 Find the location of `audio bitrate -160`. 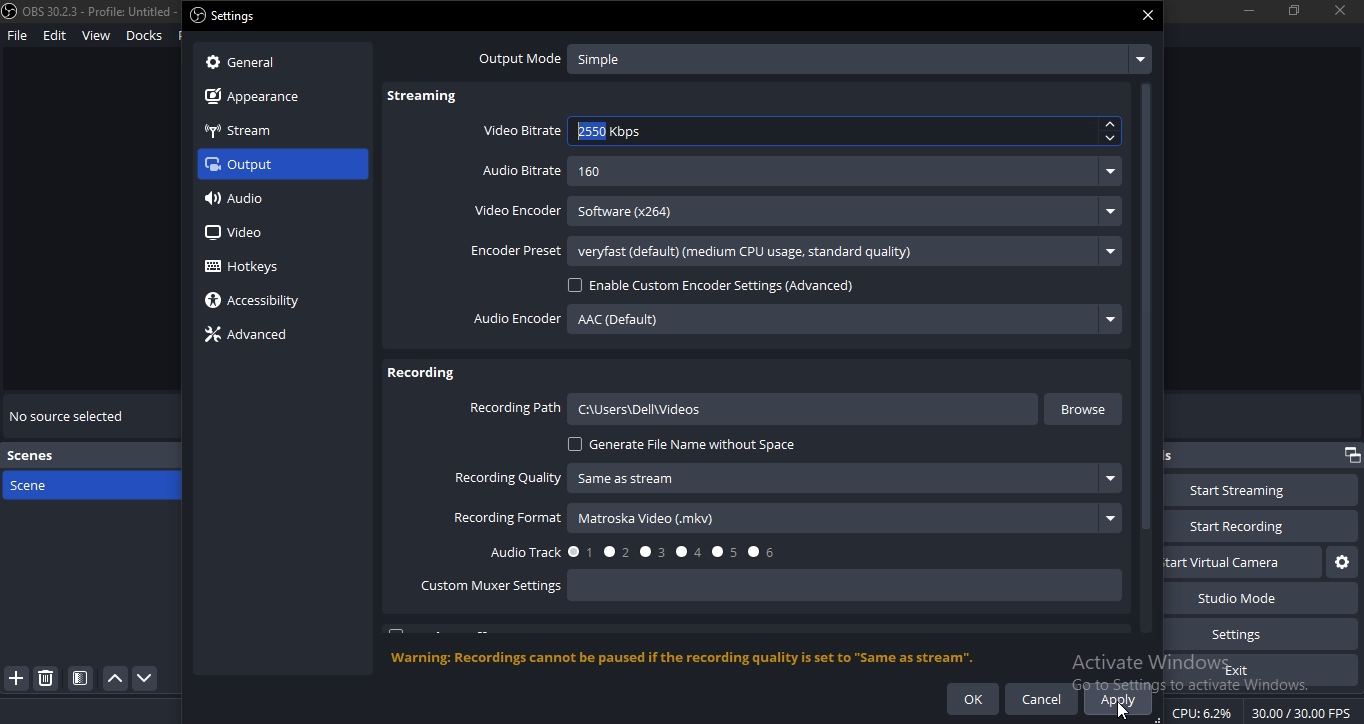

audio bitrate -160 is located at coordinates (520, 167).